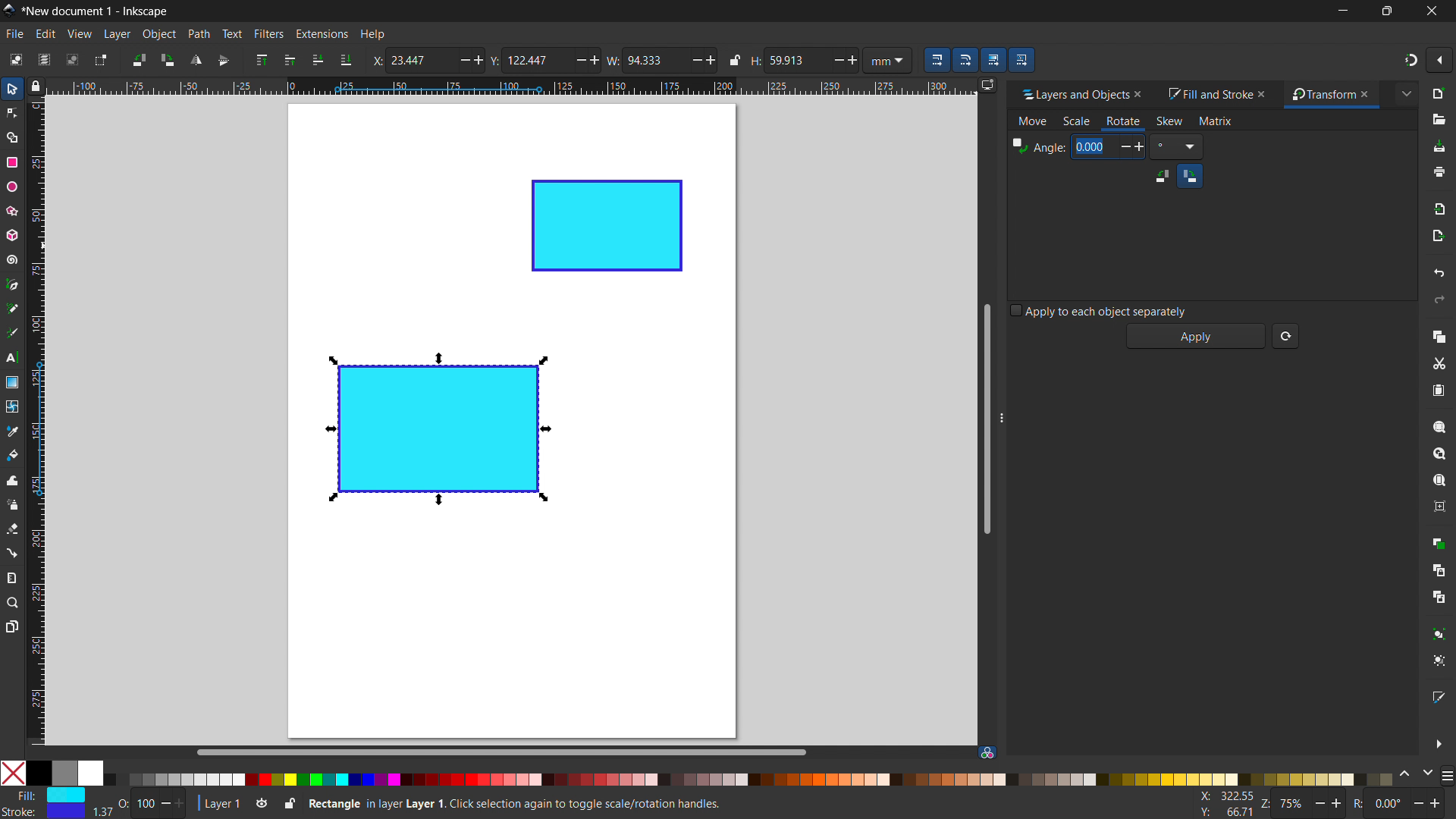 This screenshot has width=1456, height=819. Describe the element at coordinates (890, 59) in the screenshot. I see `mm` at that location.